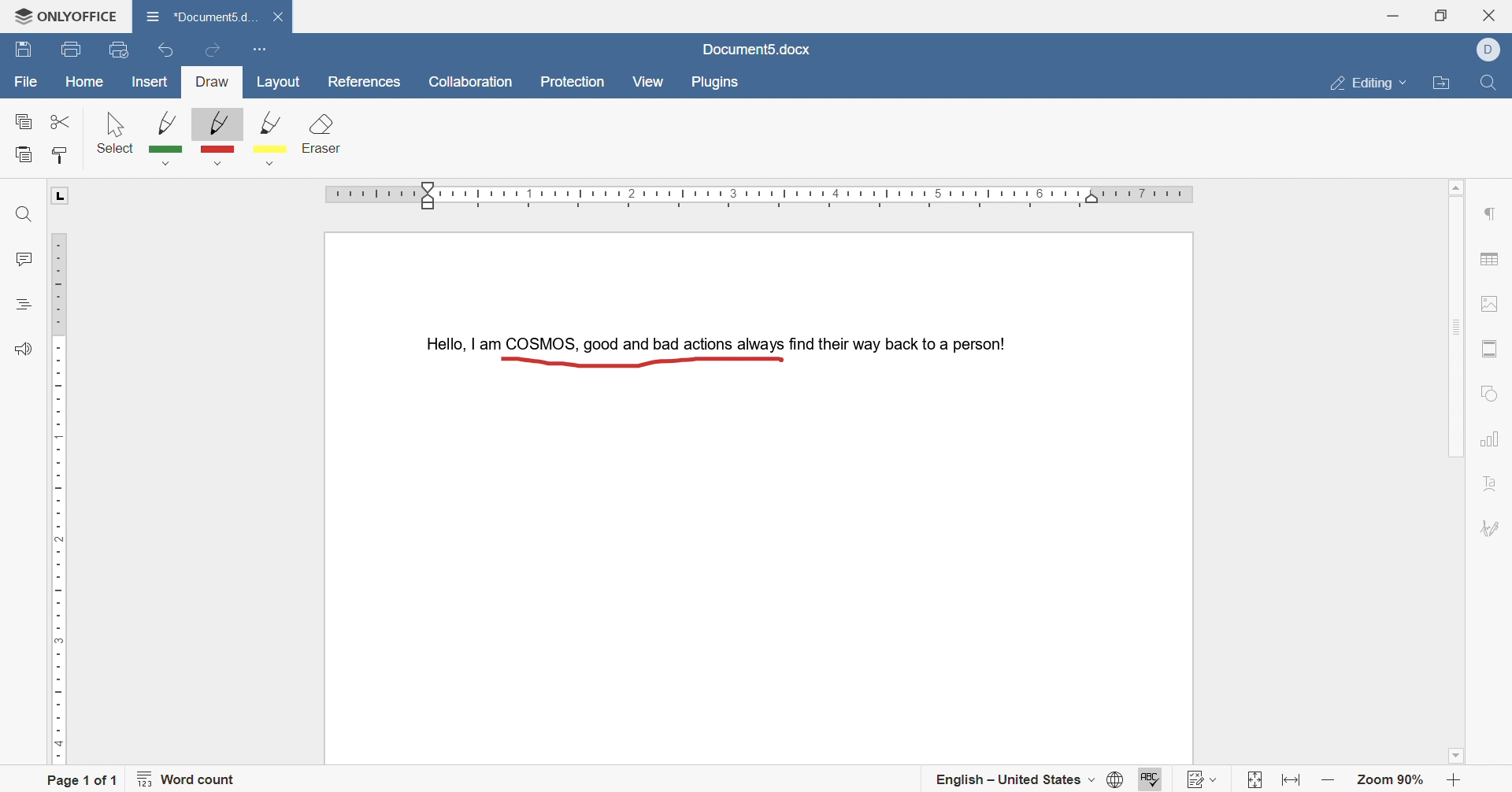 Image resolution: width=1512 pixels, height=792 pixels. What do you see at coordinates (60, 13) in the screenshot?
I see `ONLYOFFICE` at bounding box center [60, 13].